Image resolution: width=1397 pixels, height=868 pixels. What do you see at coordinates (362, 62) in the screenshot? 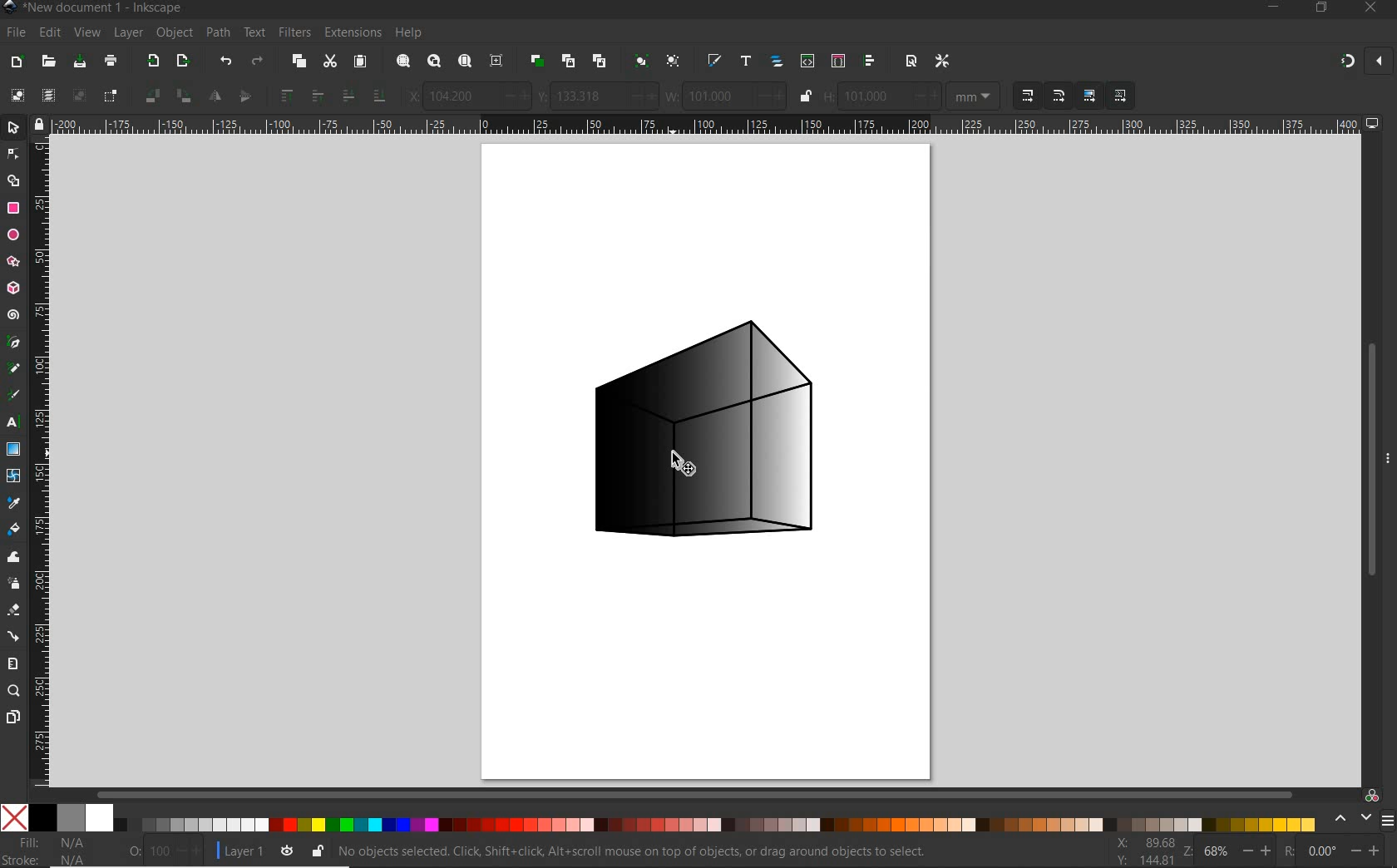
I see `PASTE` at bounding box center [362, 62].